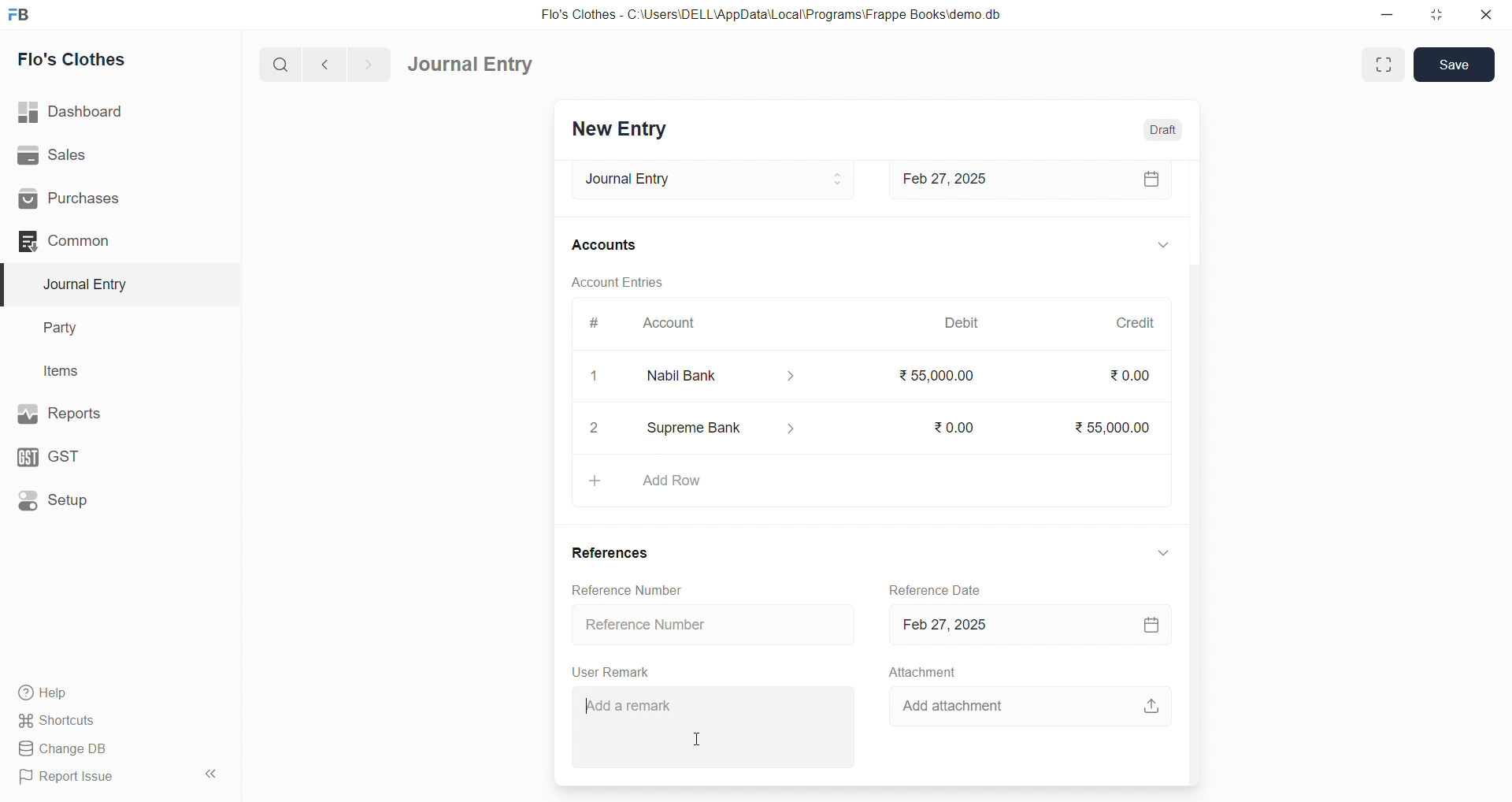  Describe the element at coordinates (598, 430) in the screenshot. I see `2` at that location.